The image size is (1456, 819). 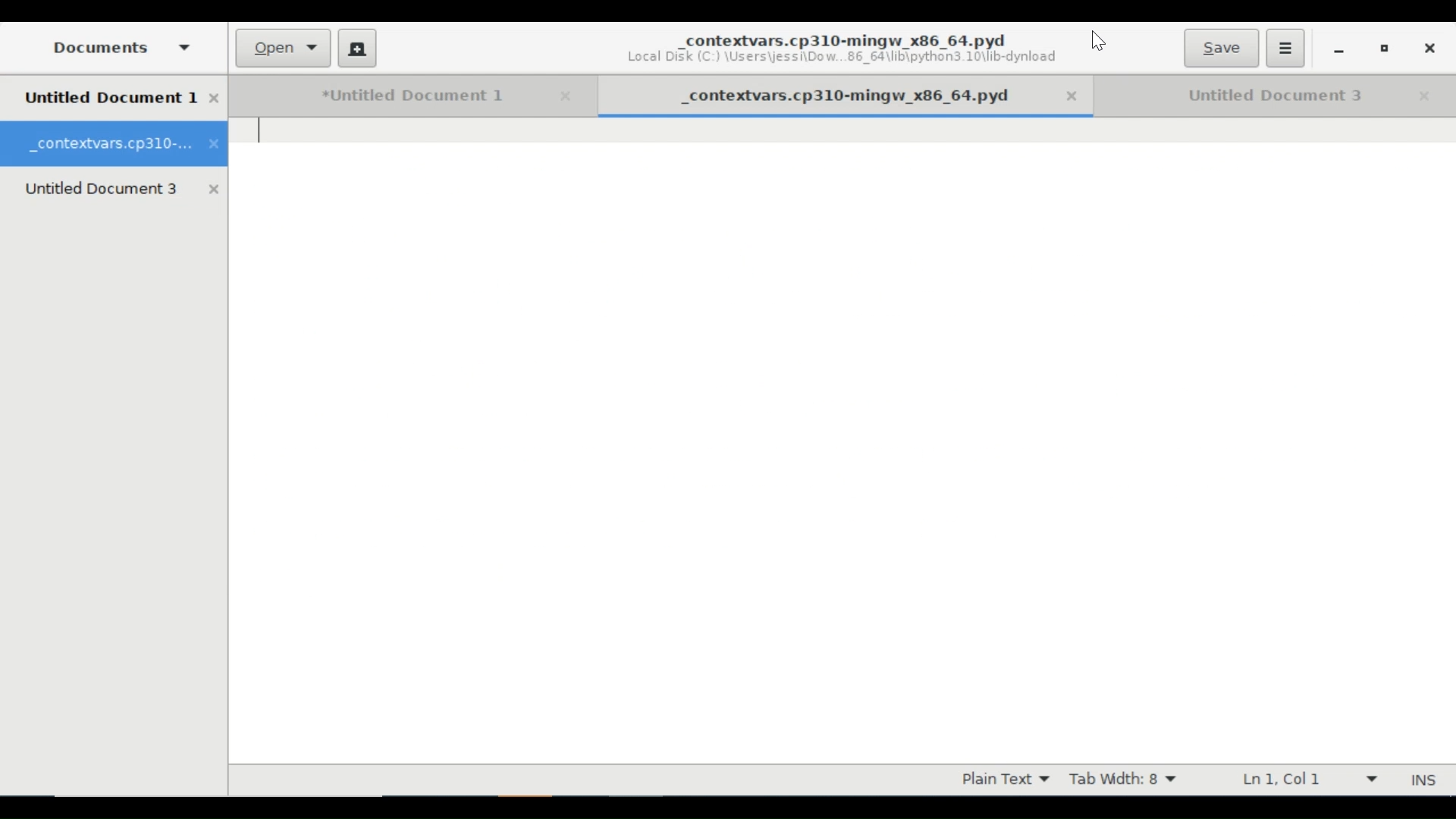 What do you see at coordinates (115, 144) in the screenshot?
I see `_contextvars.cp310-minger_xc86_64.pyd tab` at bounding box center [115, 144].